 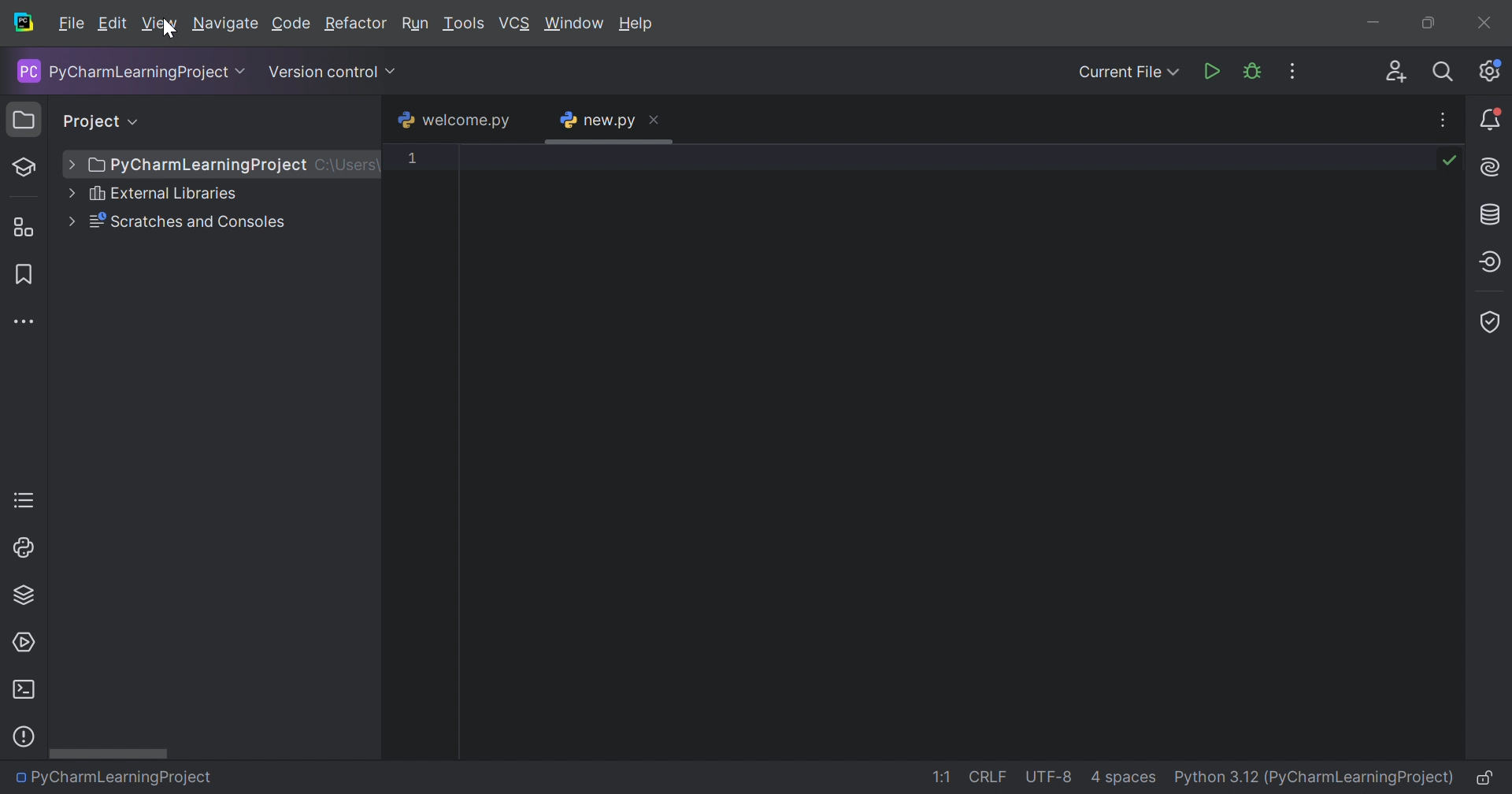 What do you see at coordinates (591, 121) in the screenshot?
I see `new.py` at bounding box center [591, 121].